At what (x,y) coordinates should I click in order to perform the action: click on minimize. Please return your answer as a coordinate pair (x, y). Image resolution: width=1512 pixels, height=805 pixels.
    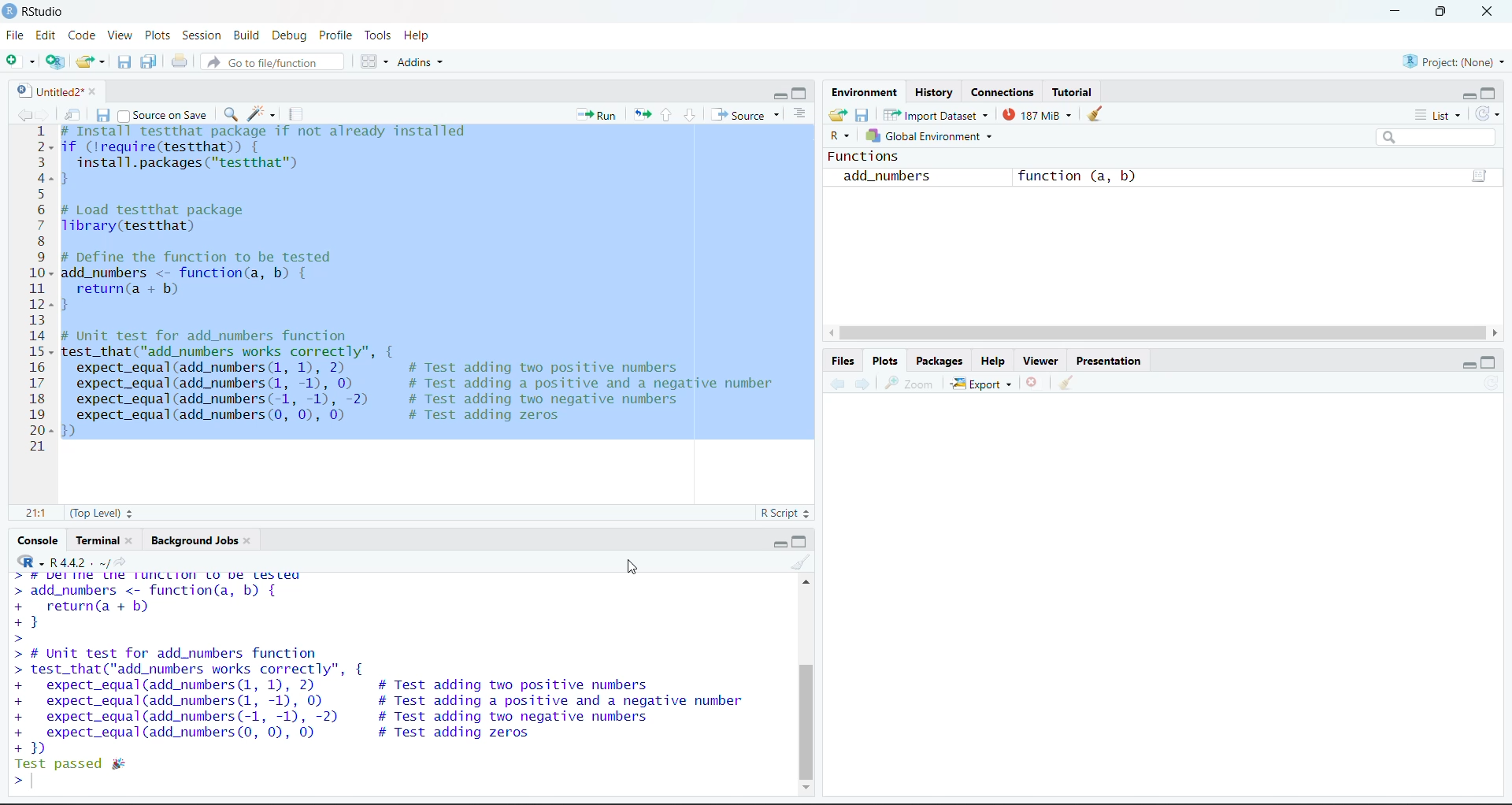
    Looking at the image, I should click on (1470, 363).